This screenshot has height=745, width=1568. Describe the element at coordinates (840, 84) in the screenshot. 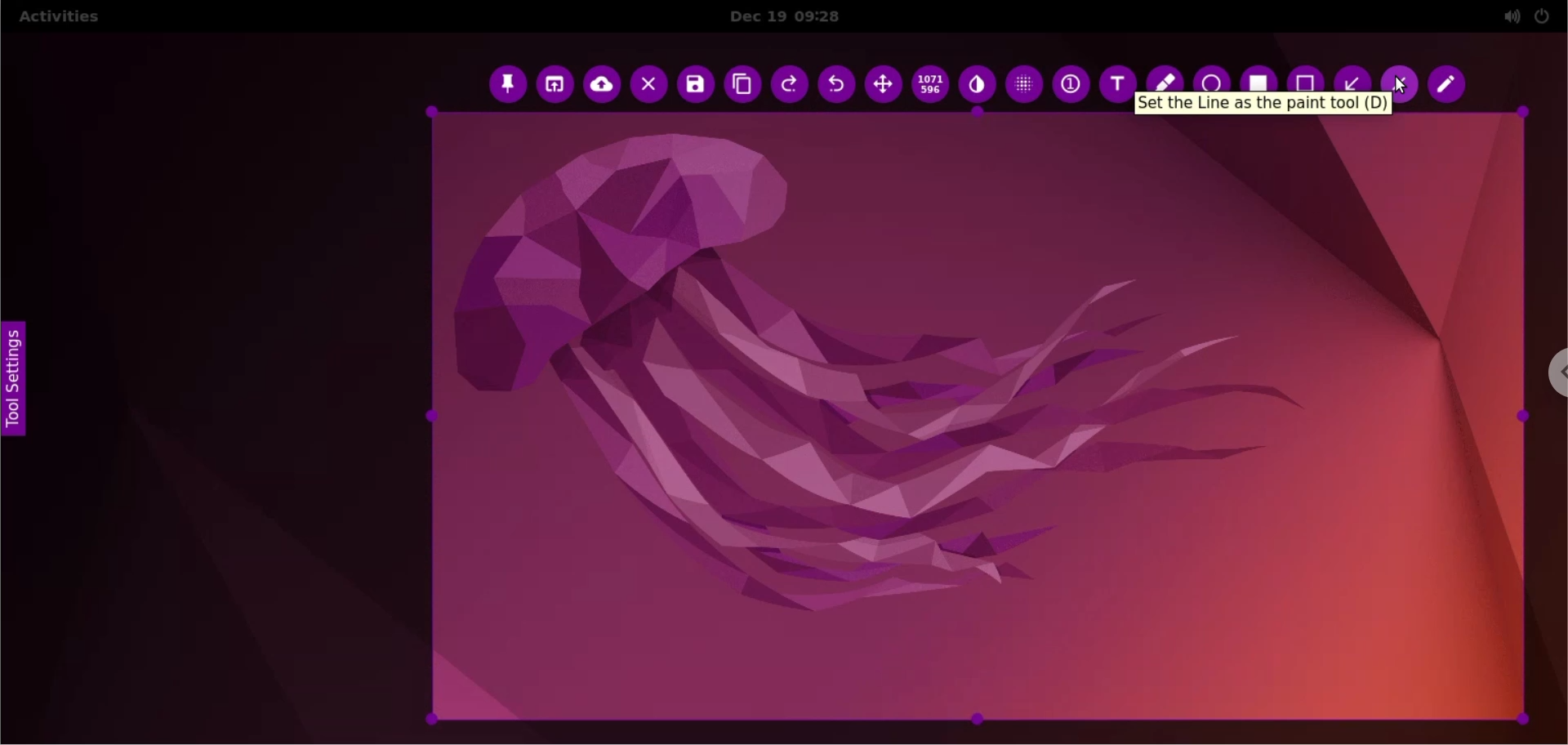

I see `undo` at that location.